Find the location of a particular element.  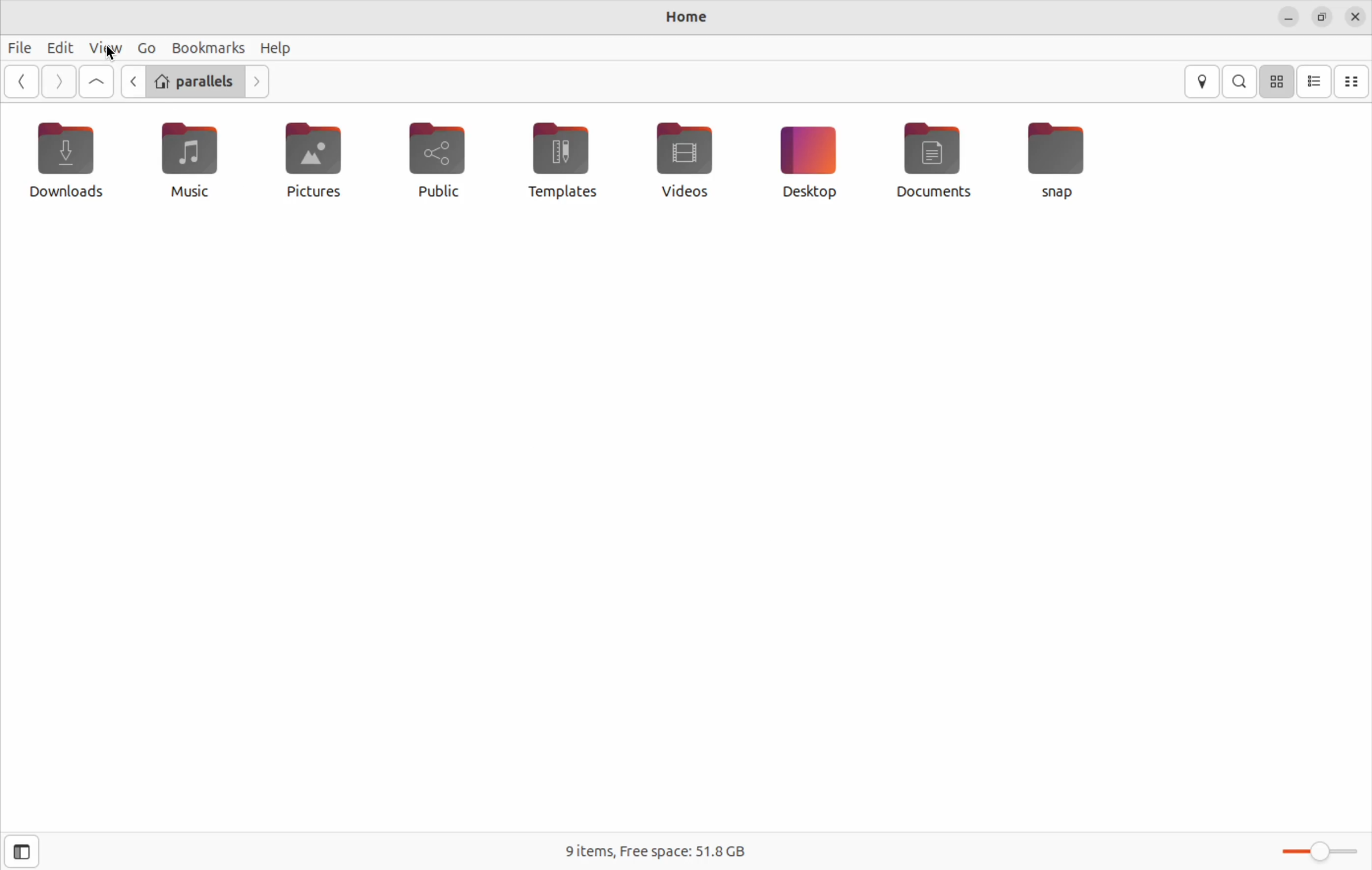

music is located at coordinates (191, 160).